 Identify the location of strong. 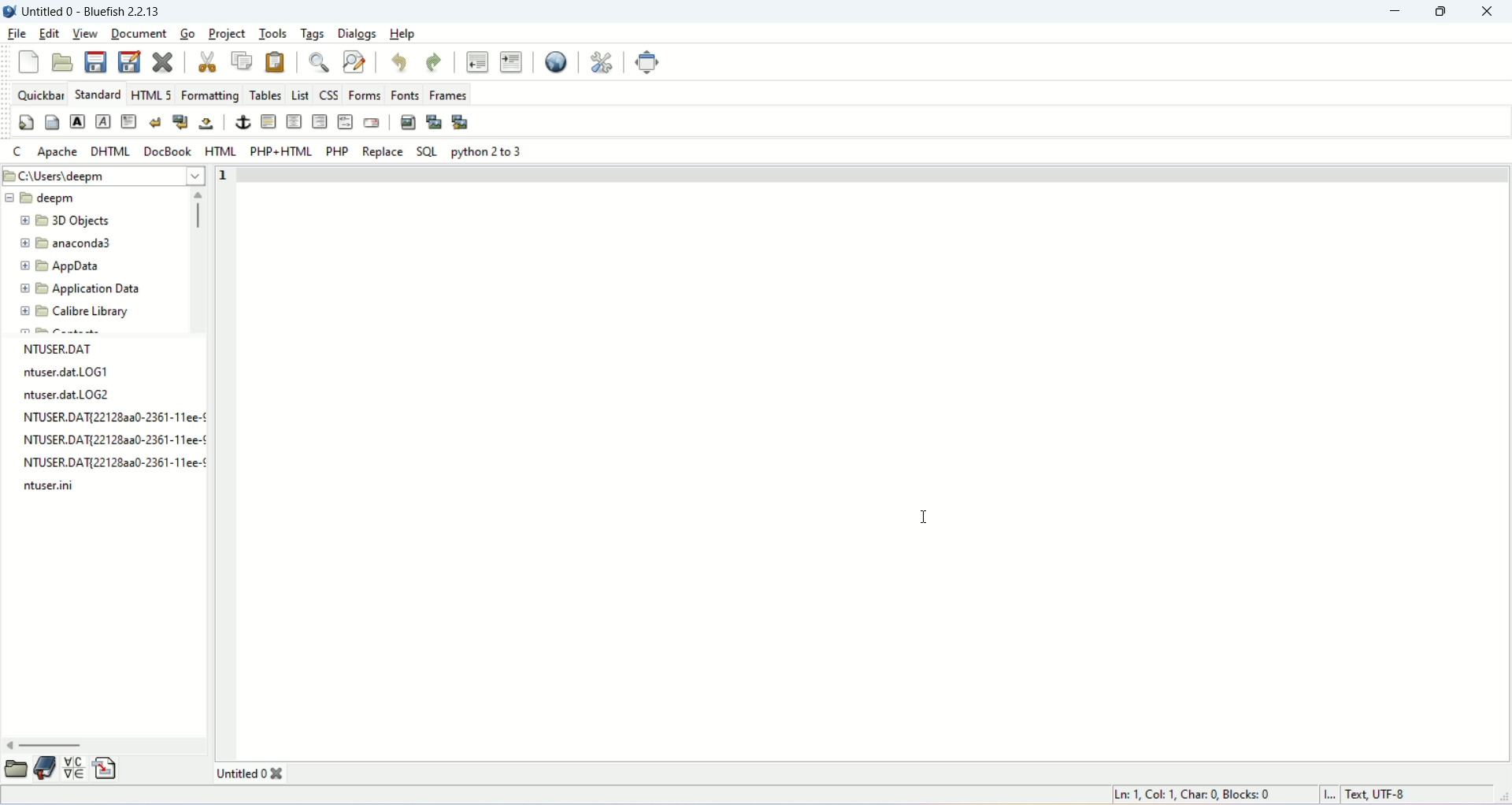
(76, 121).